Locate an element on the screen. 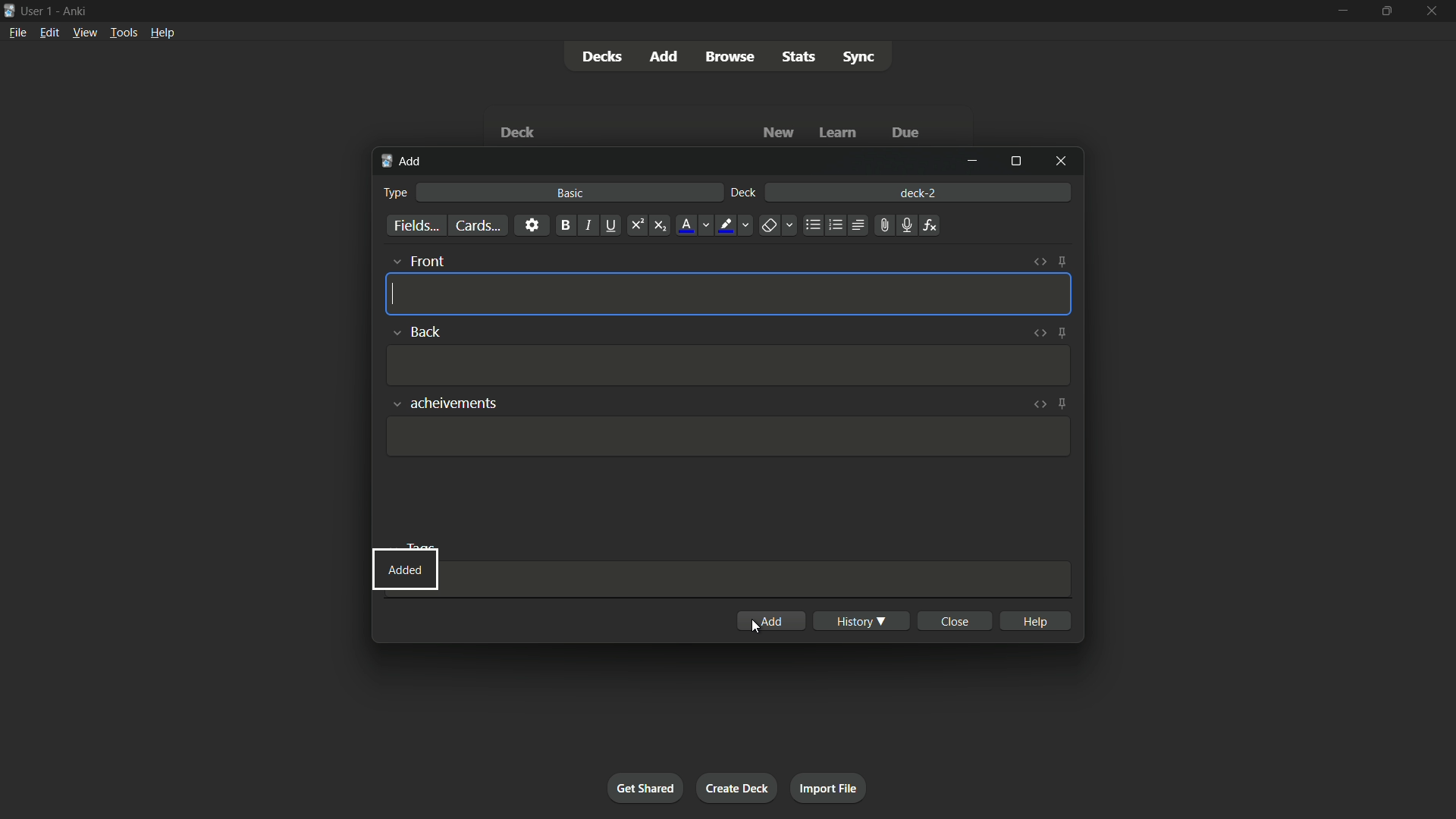 The image size is (1456, 819). maximize is located at coordinates (1386, 11).